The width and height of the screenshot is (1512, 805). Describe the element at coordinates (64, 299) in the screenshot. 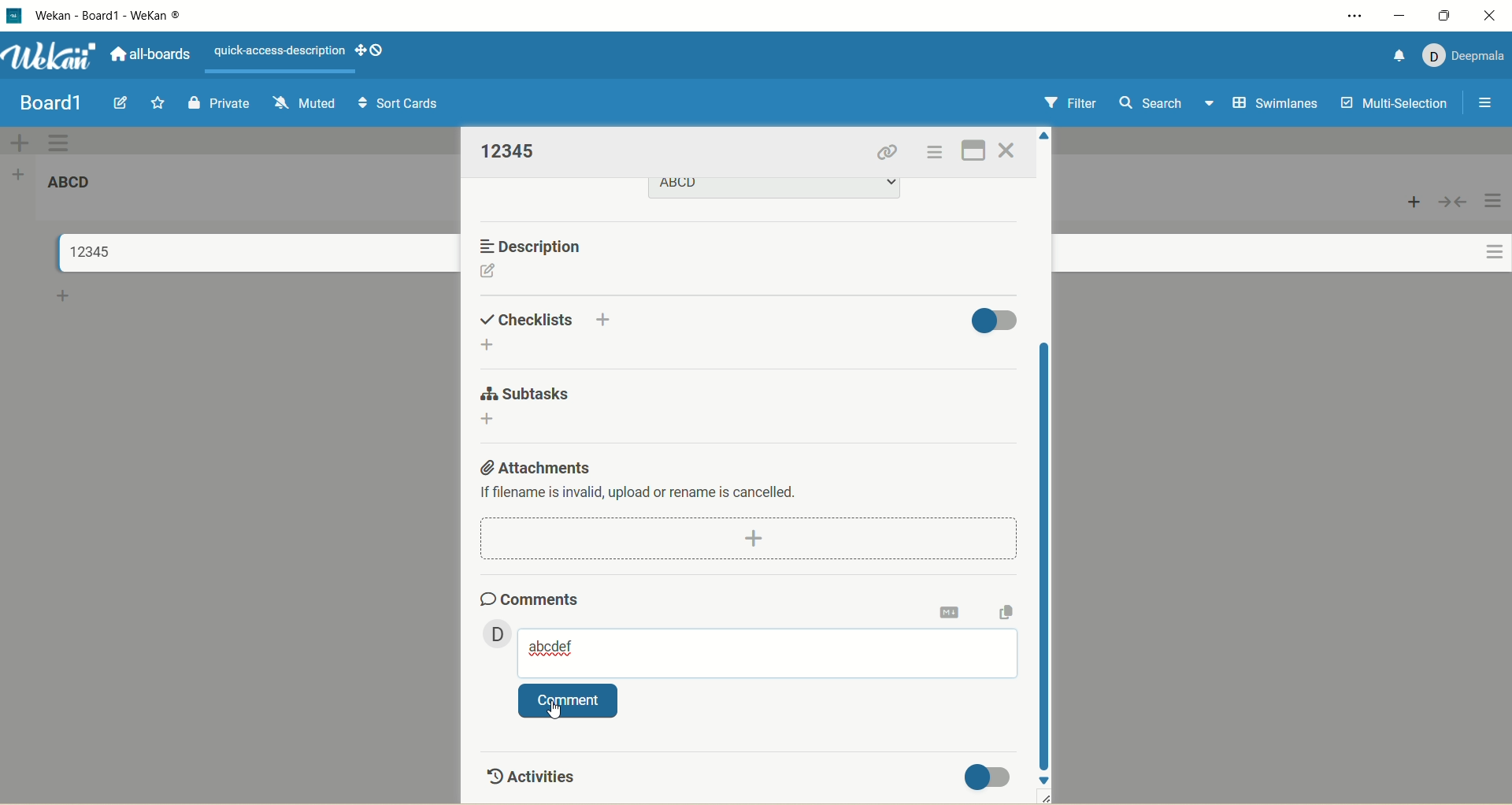

I see `add card` at that location.